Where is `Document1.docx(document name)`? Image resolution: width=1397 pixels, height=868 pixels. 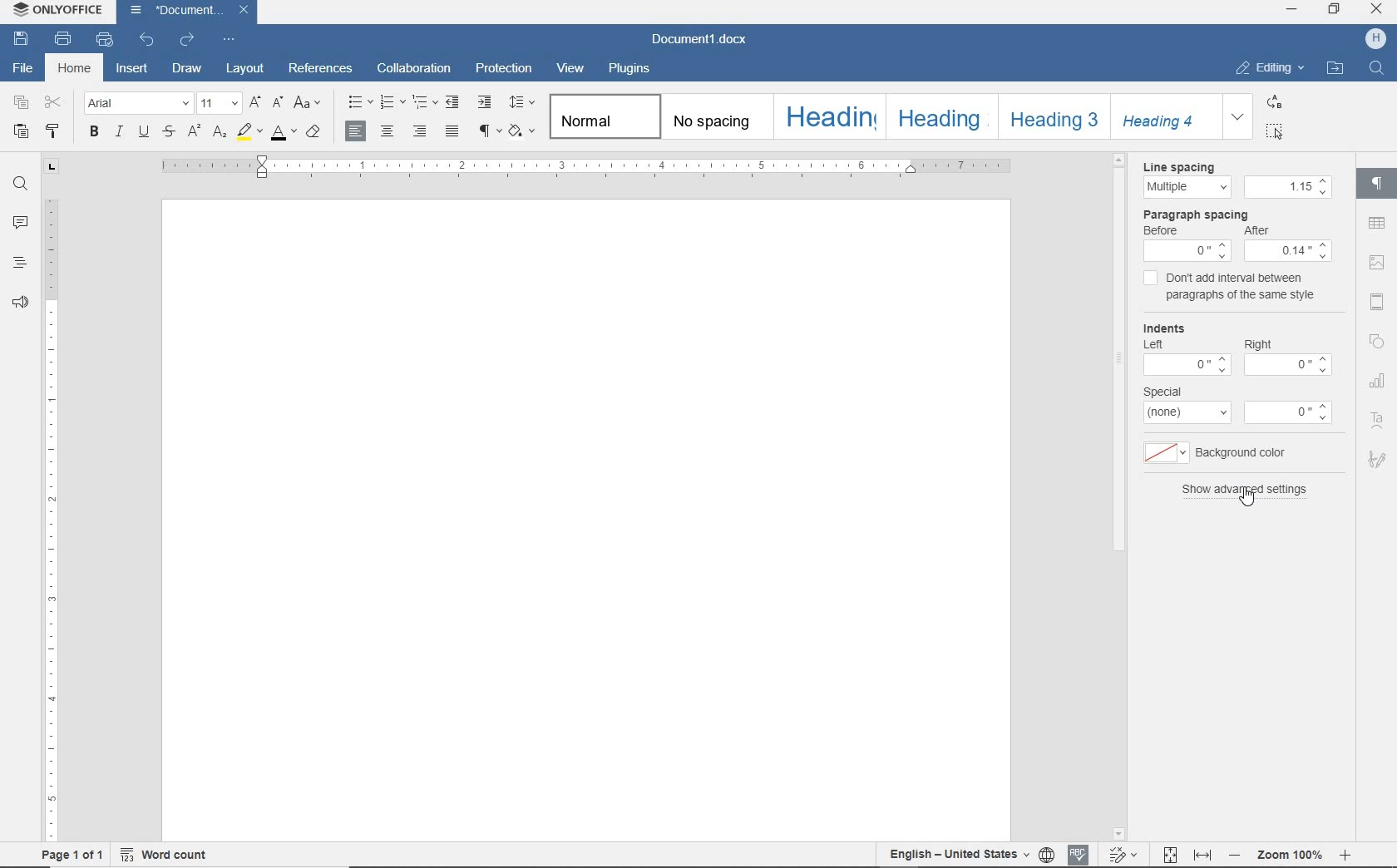 Document1.docx(document name) is located at coordinates (706, 40).